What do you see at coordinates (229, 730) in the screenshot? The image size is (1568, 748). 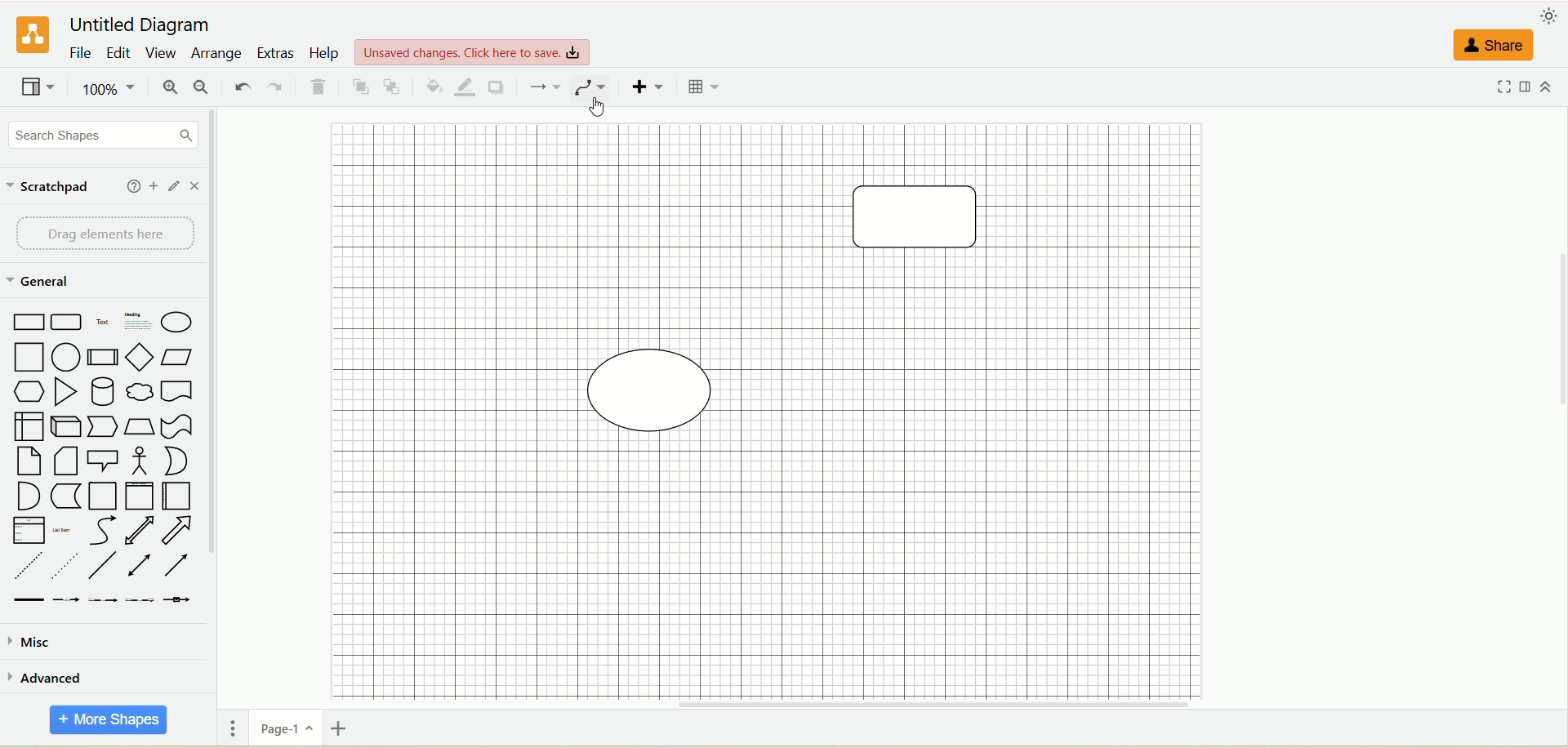 I see `pages` at bounding box center [229, 730].